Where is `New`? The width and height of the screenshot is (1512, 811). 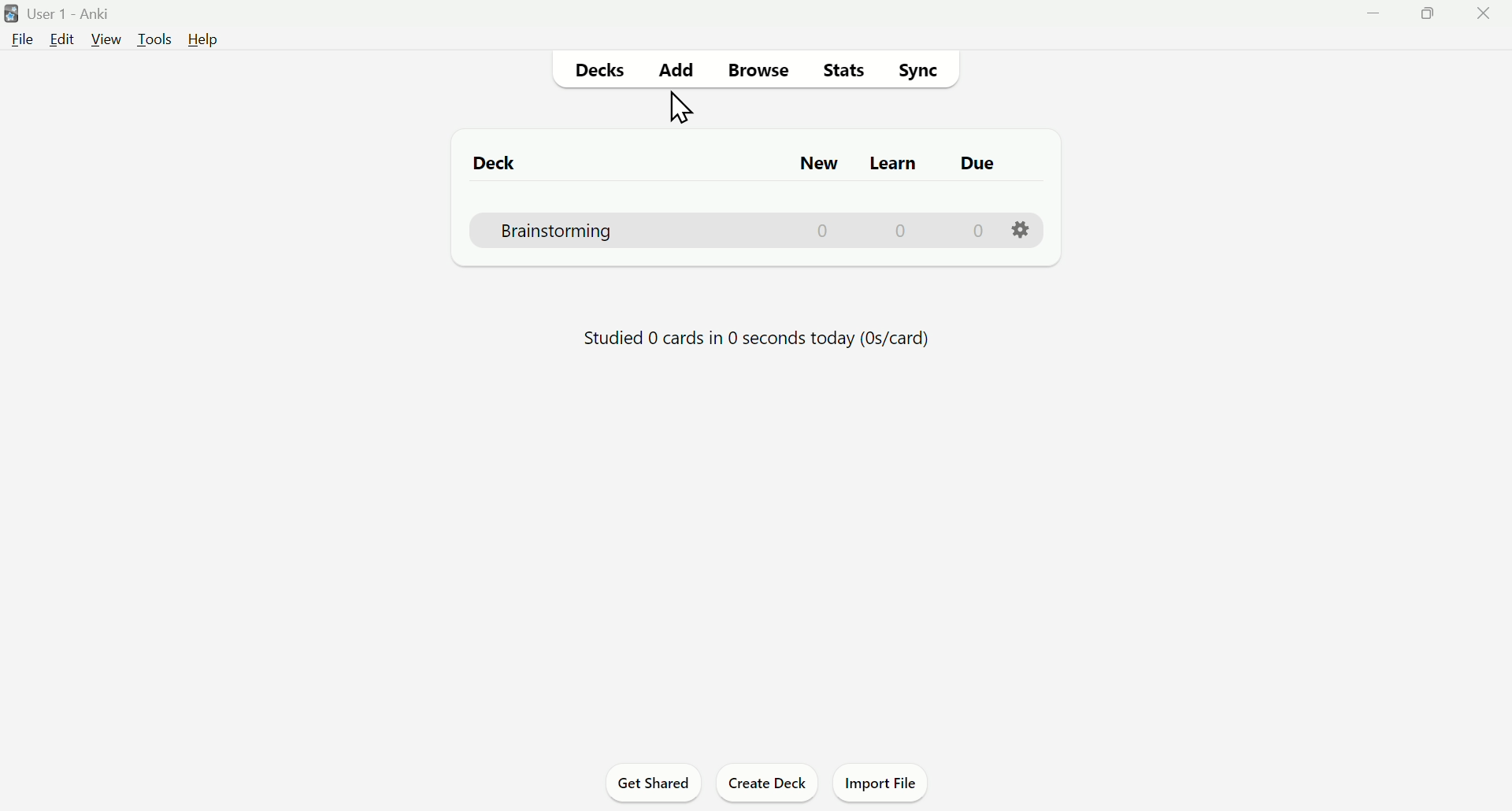 New is located at coordinates (817, 163).